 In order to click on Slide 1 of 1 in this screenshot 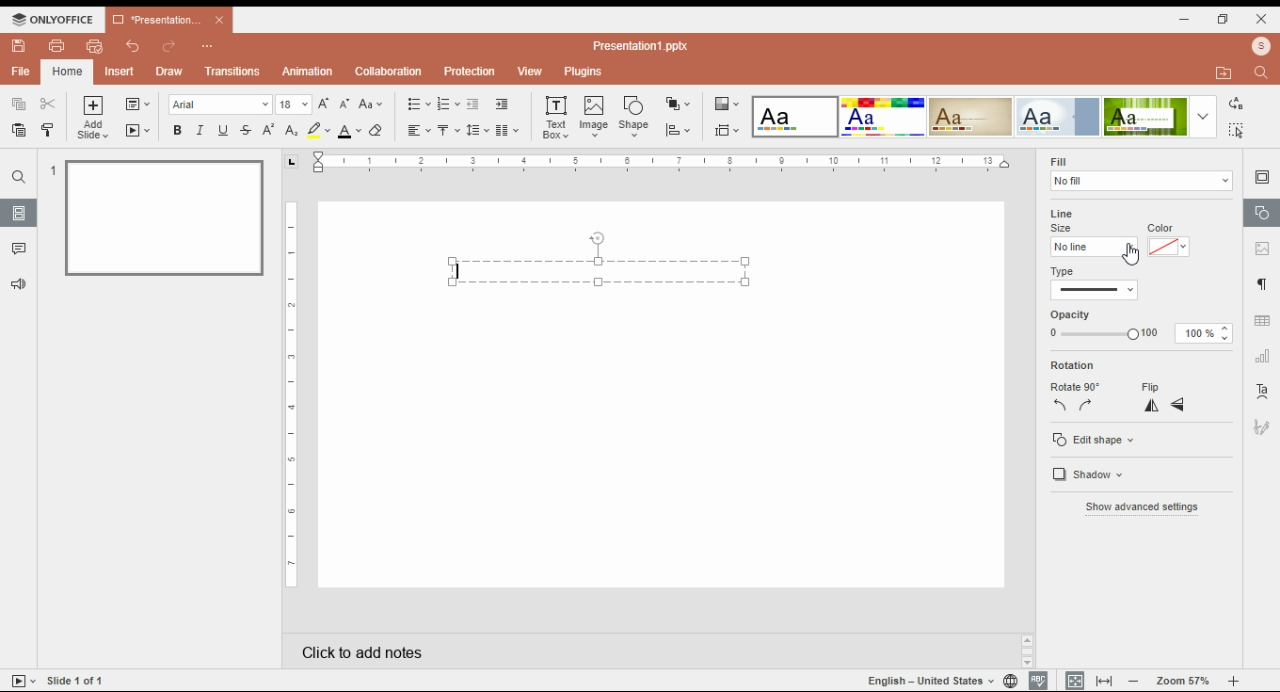, I will do `click(76, 680)`.